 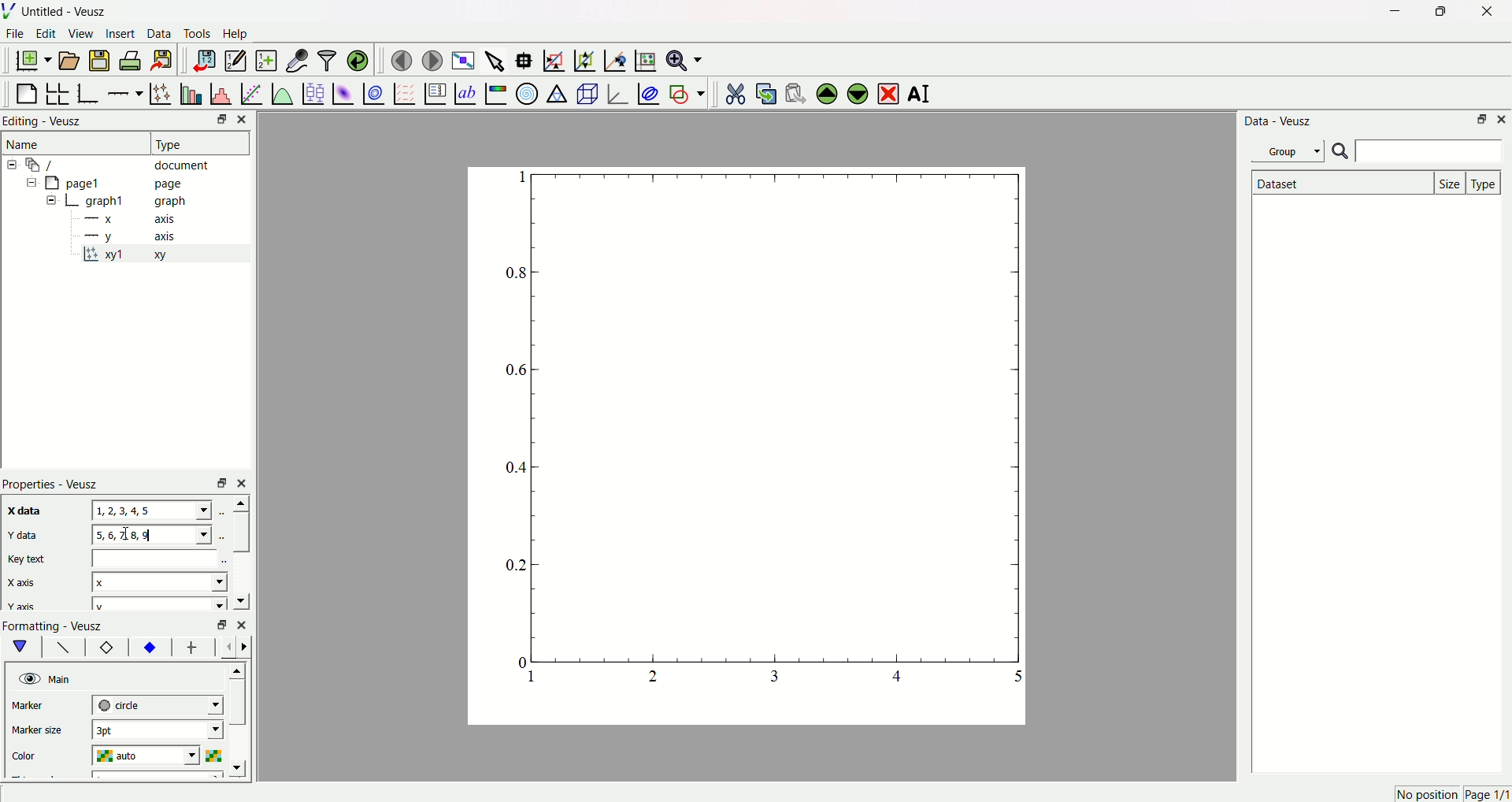 What do you see at coordinates (28, 90) in the screenshot?
I see `blank page` at bounding box center [28, 90].